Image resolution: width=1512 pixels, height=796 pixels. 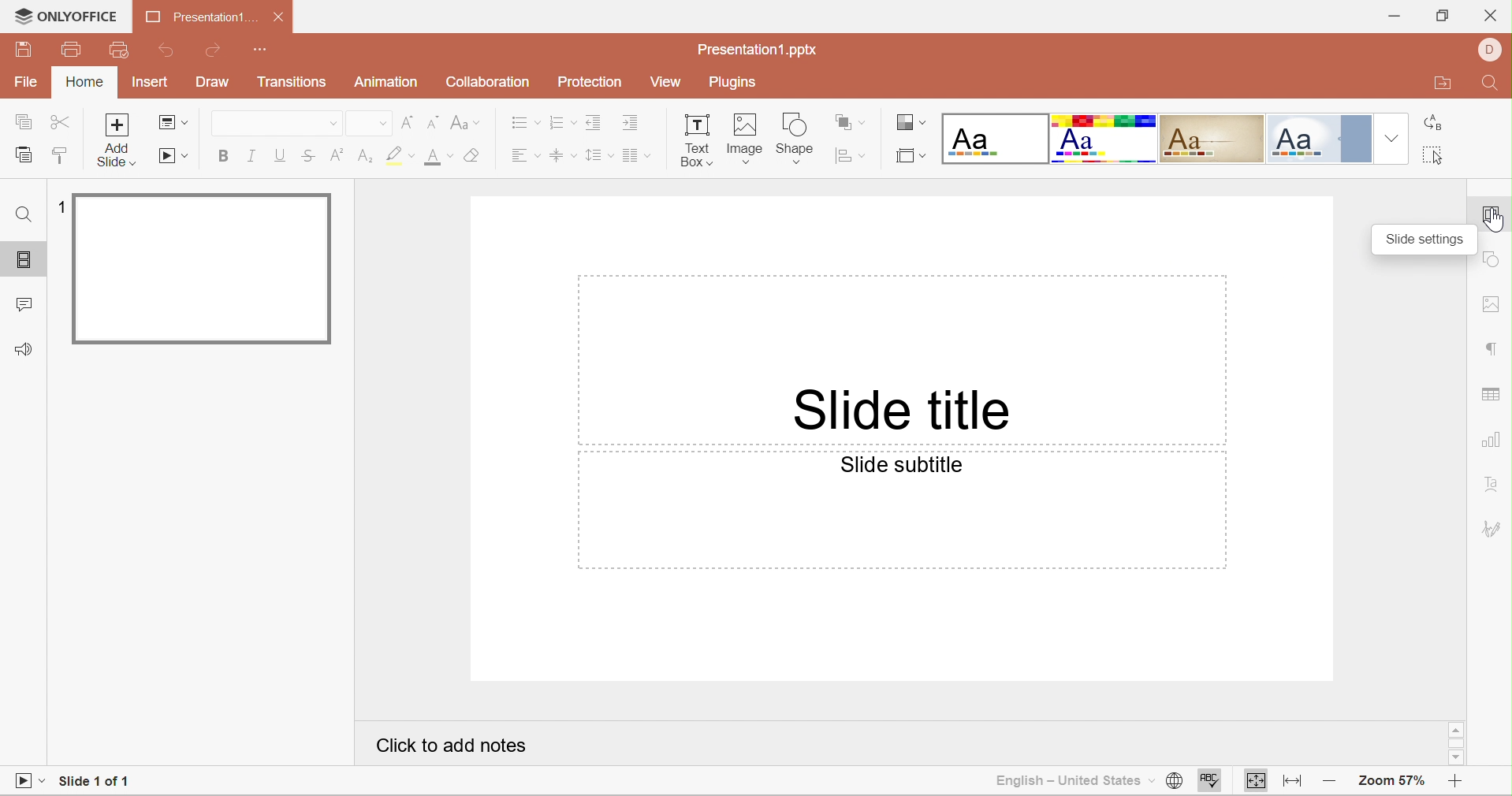 I want to click on Font, so click(x=254, y=124).